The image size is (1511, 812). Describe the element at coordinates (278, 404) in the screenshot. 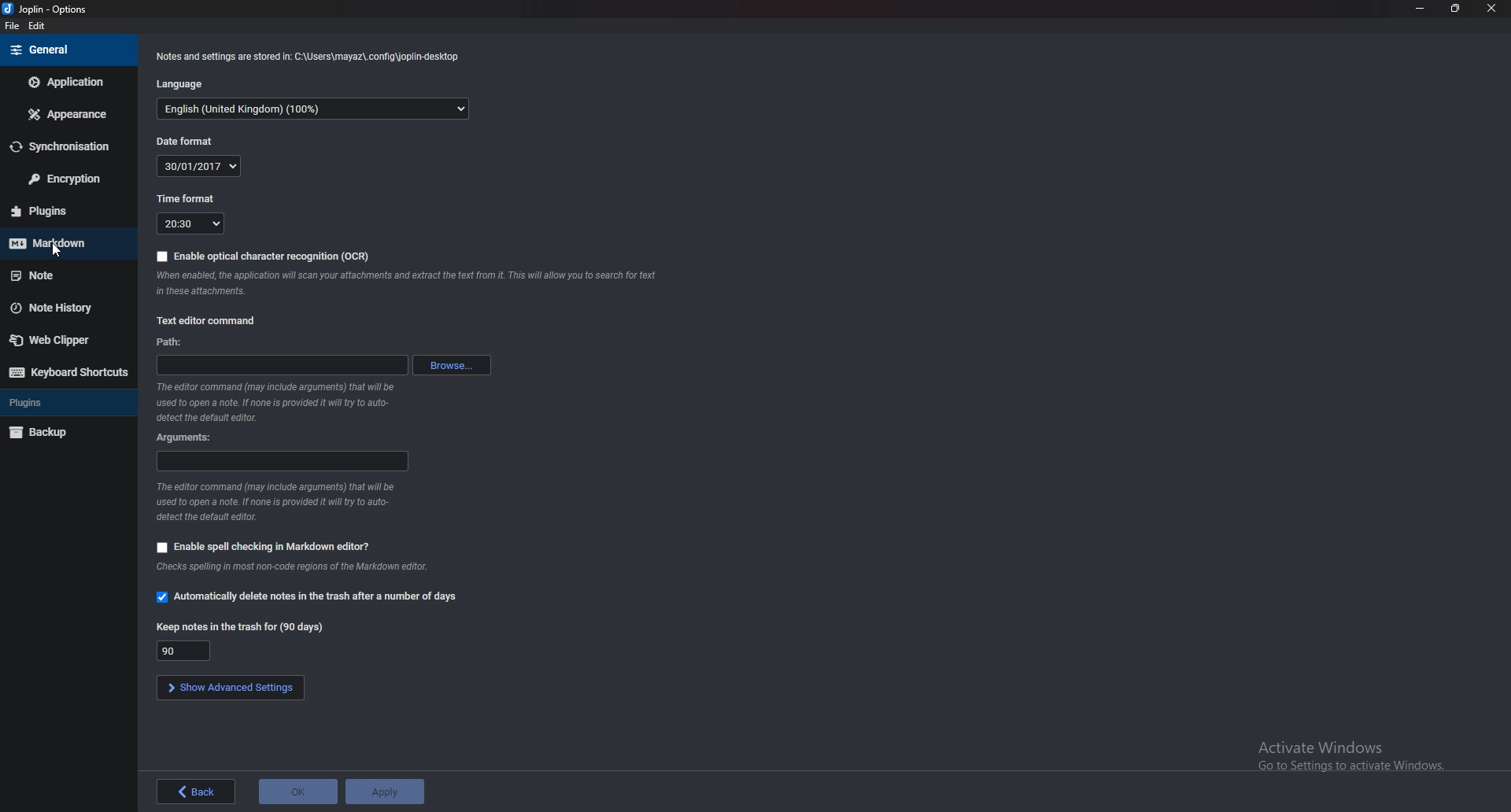

I see `The editor command (may include arguments) that will be used to open a note. If none is provided it will ry to auto-detect the default editor.` at that location.